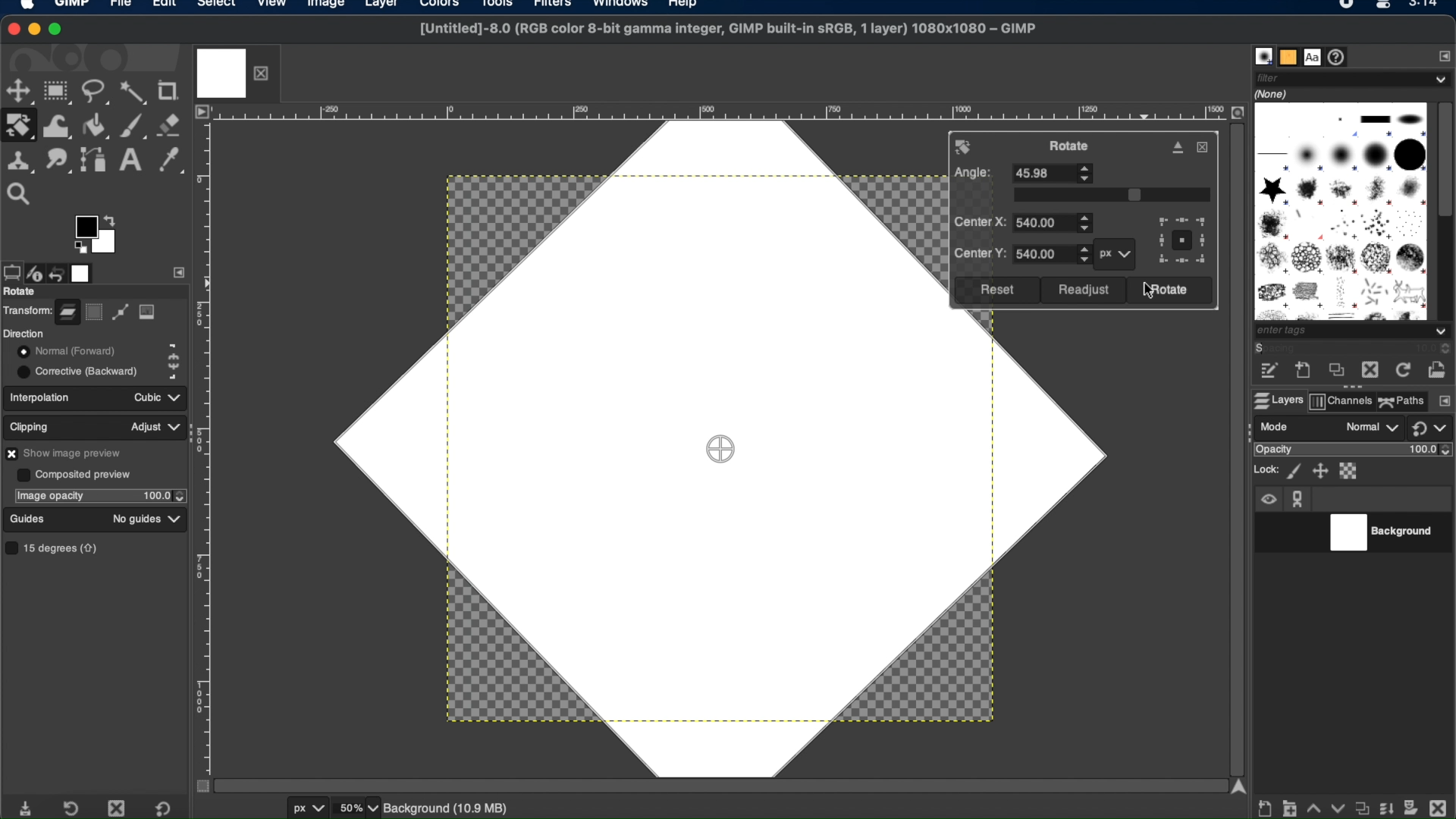 The width and height of the screenshot is (1456, 819). I want to click on composited preview, so click(74, 474).